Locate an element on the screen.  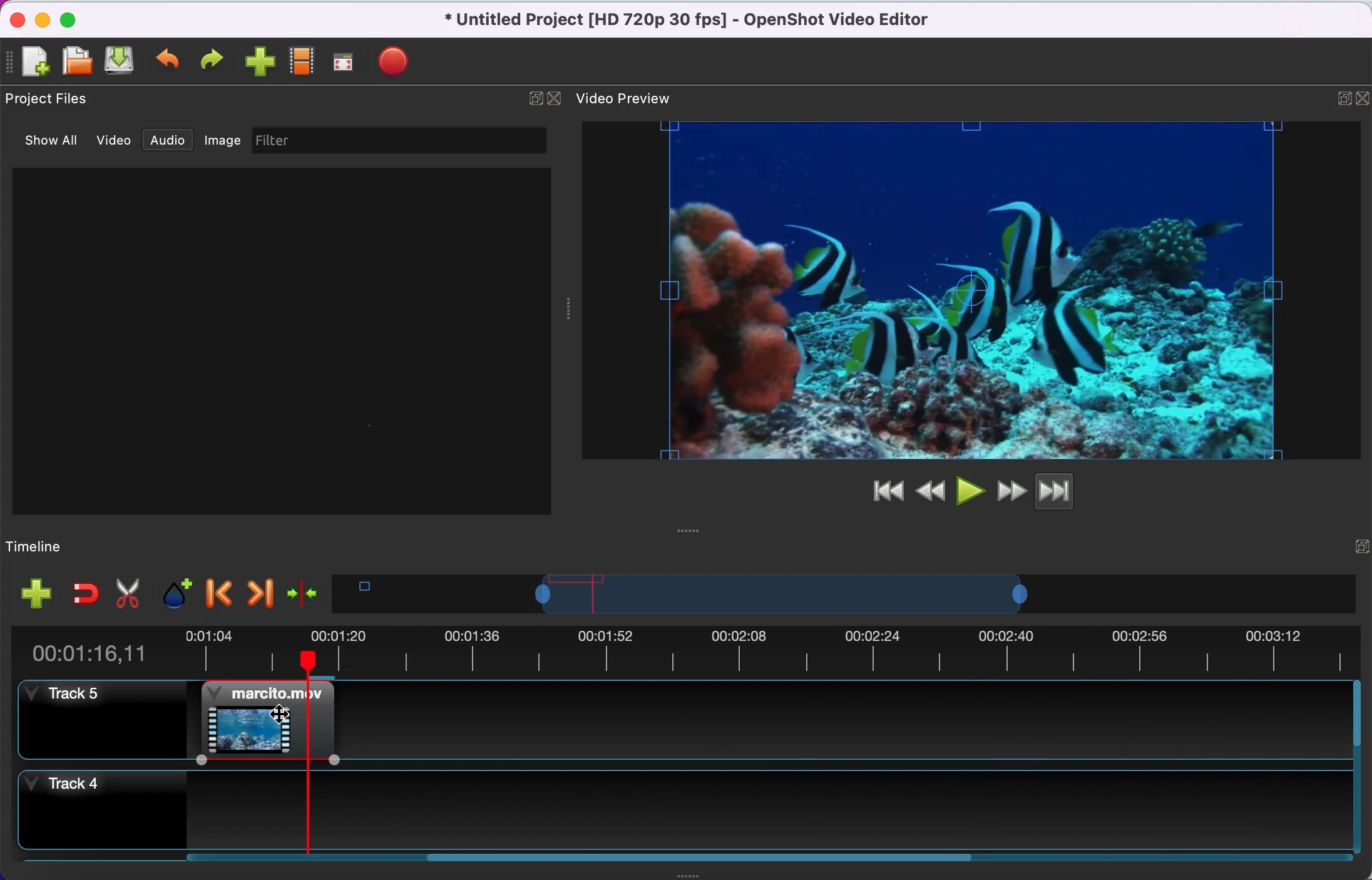
export file is located at coordinates (397, 58).